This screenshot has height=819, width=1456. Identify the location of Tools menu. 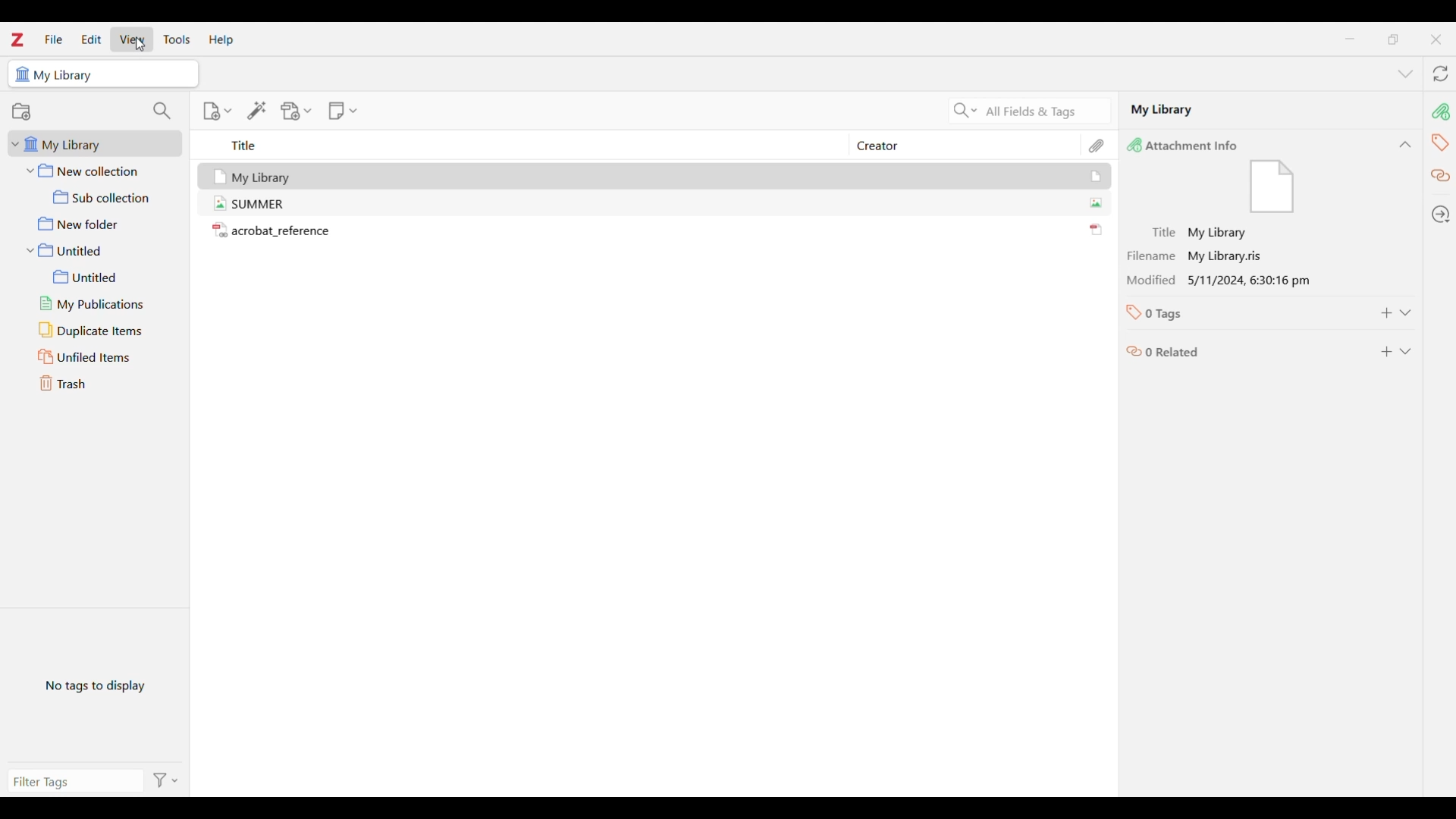
(177, 39).